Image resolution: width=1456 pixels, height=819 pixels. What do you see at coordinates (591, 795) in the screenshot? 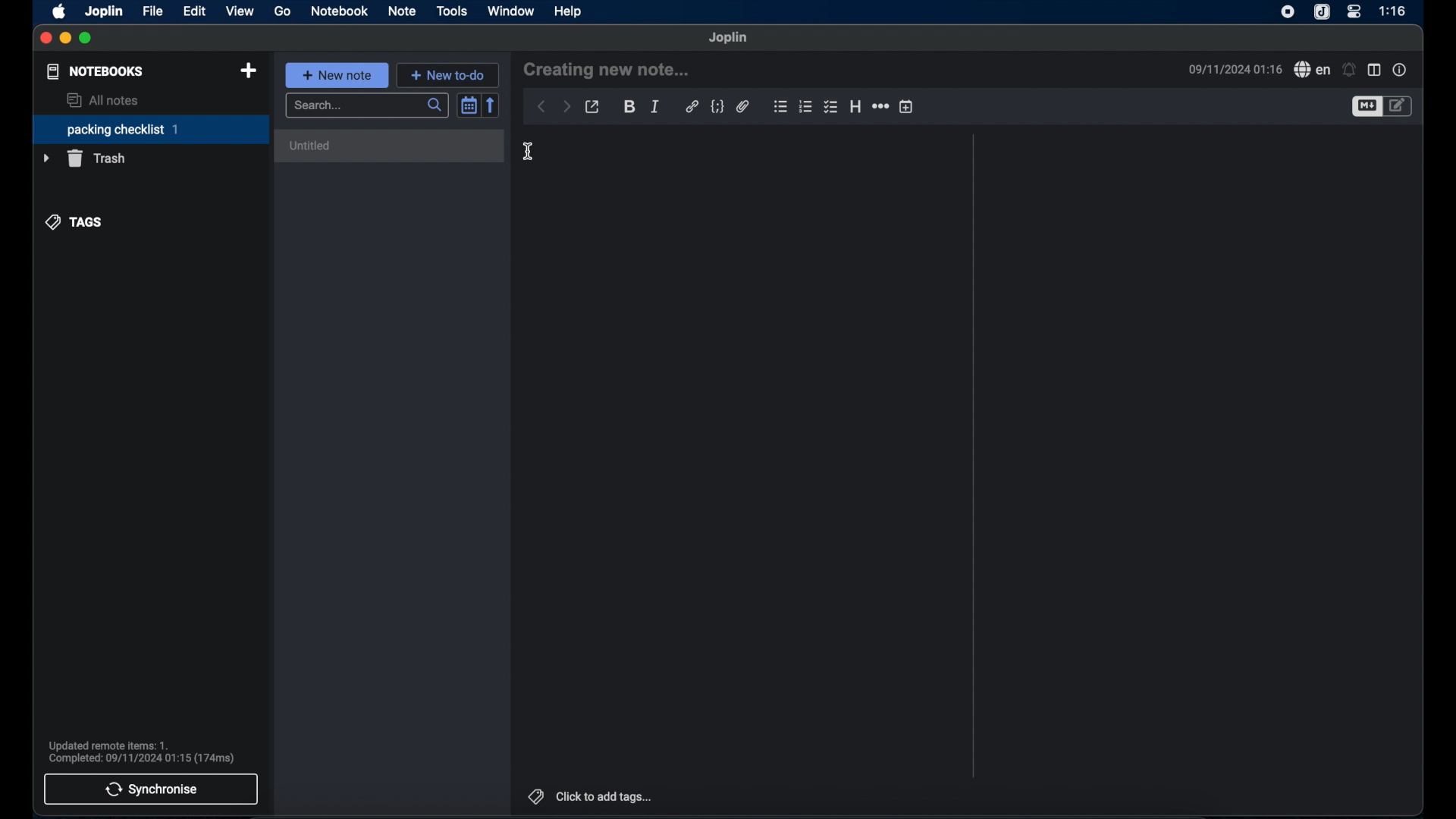
I see `click to add tags` at bounding box center [591, 795].